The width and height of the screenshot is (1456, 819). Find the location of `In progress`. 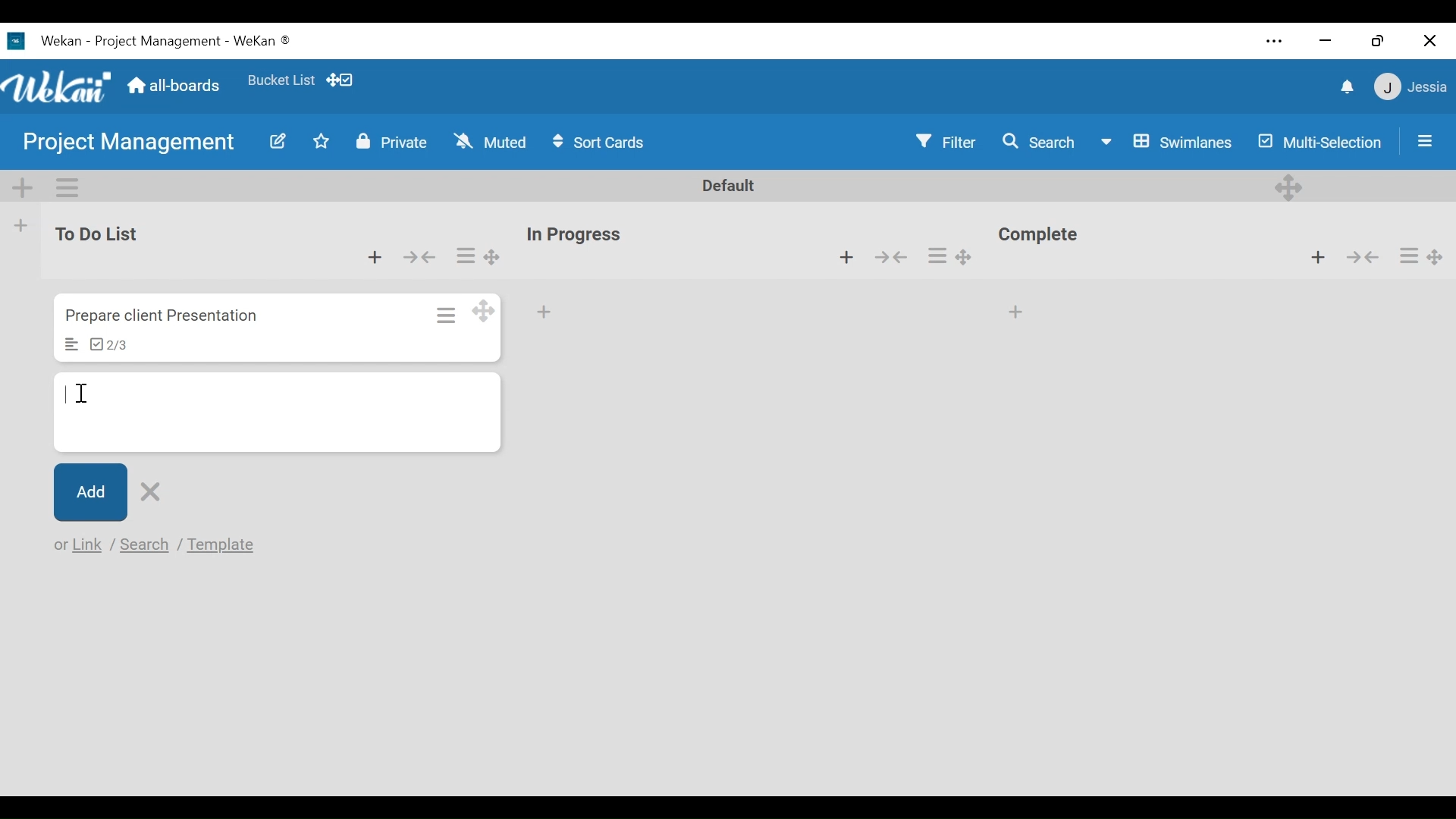

In progress is located at coordinates (579, 234).